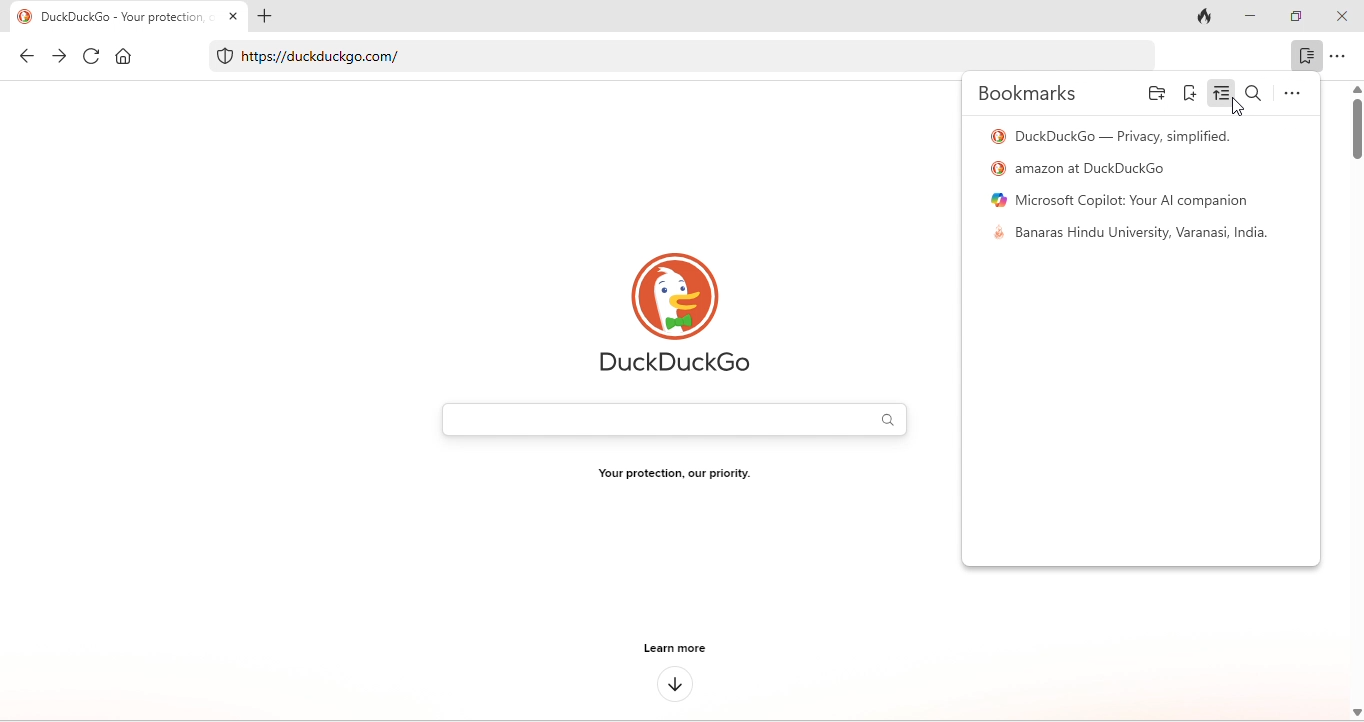  Describe the element at coordinates (1156, 95) in the screenshot. I see `add folder` at that location.